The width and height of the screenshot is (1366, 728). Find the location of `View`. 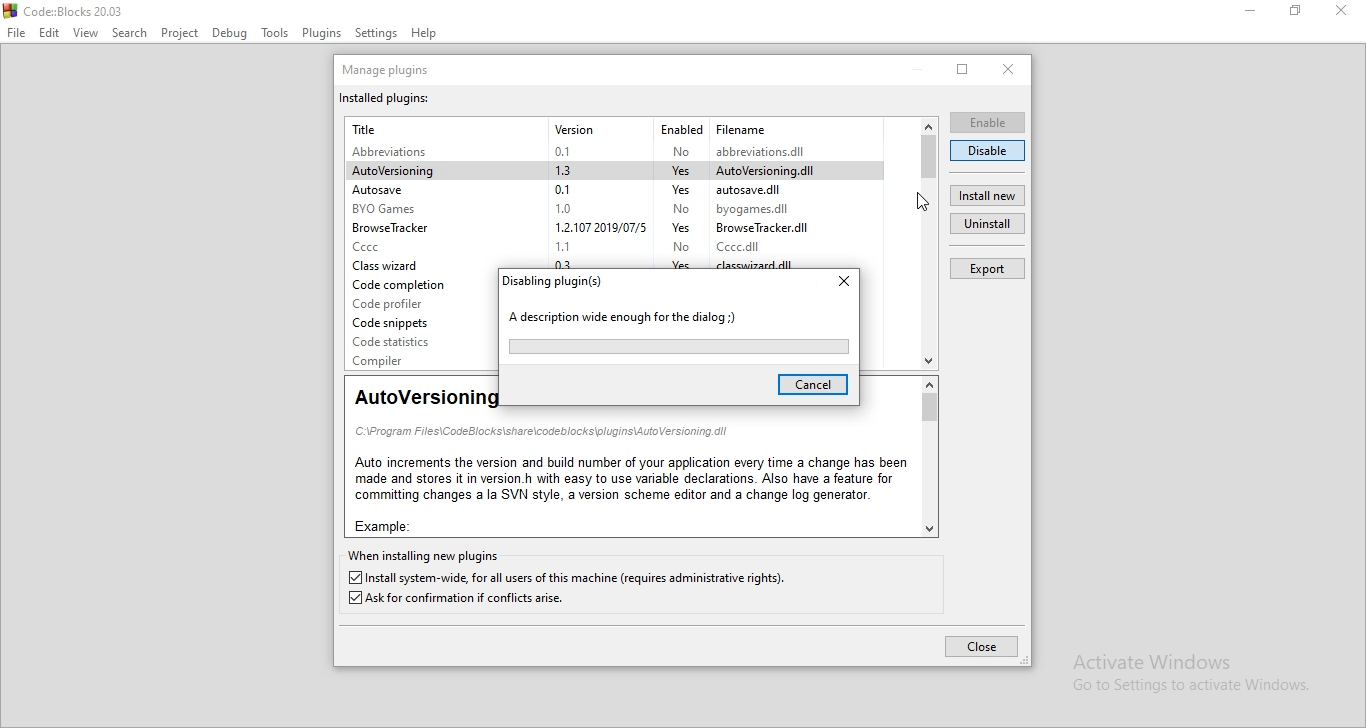

View is located at coordinates (85, 33).